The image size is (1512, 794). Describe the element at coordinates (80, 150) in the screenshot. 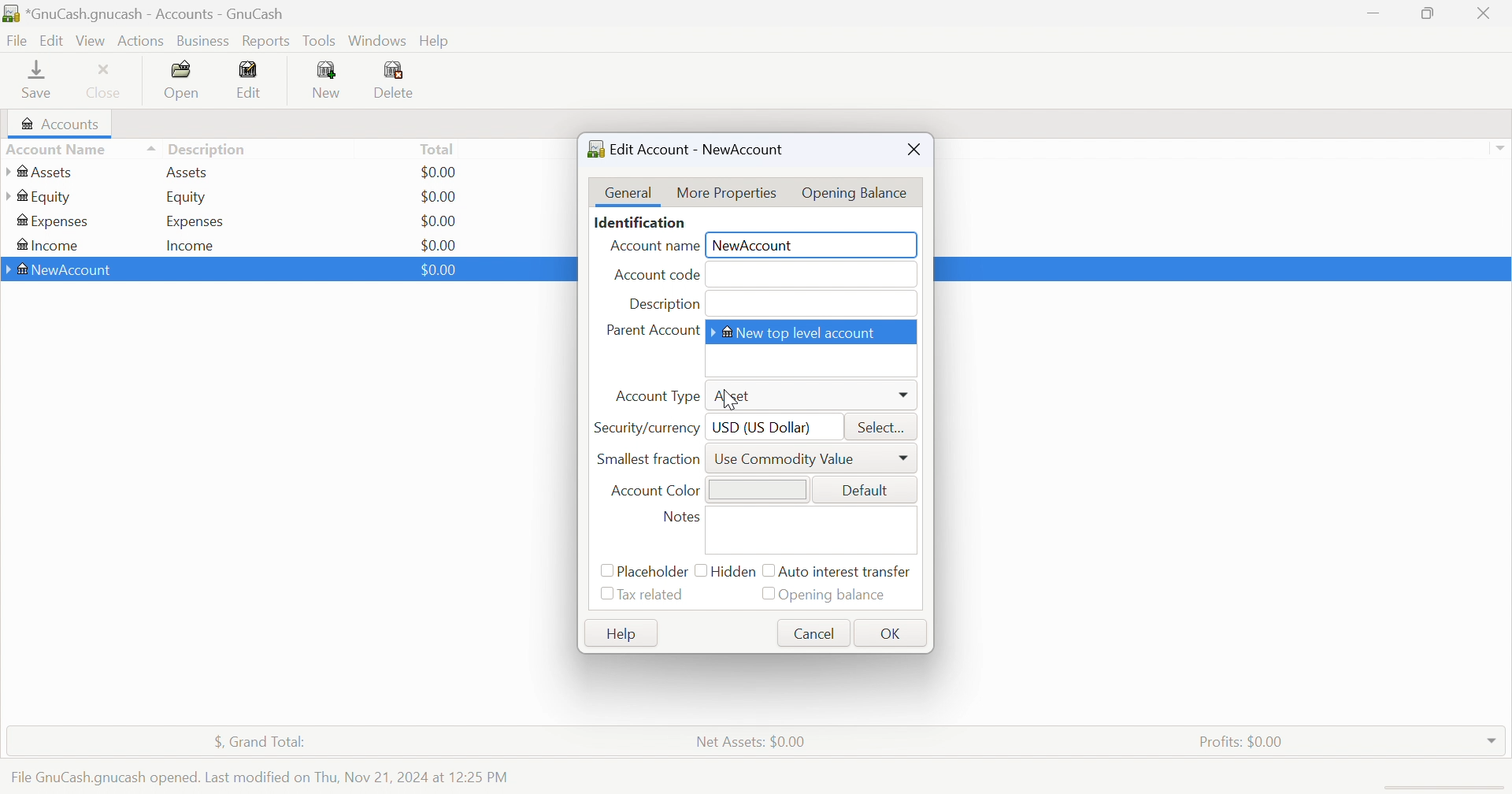

I see `Account Name` at that location.